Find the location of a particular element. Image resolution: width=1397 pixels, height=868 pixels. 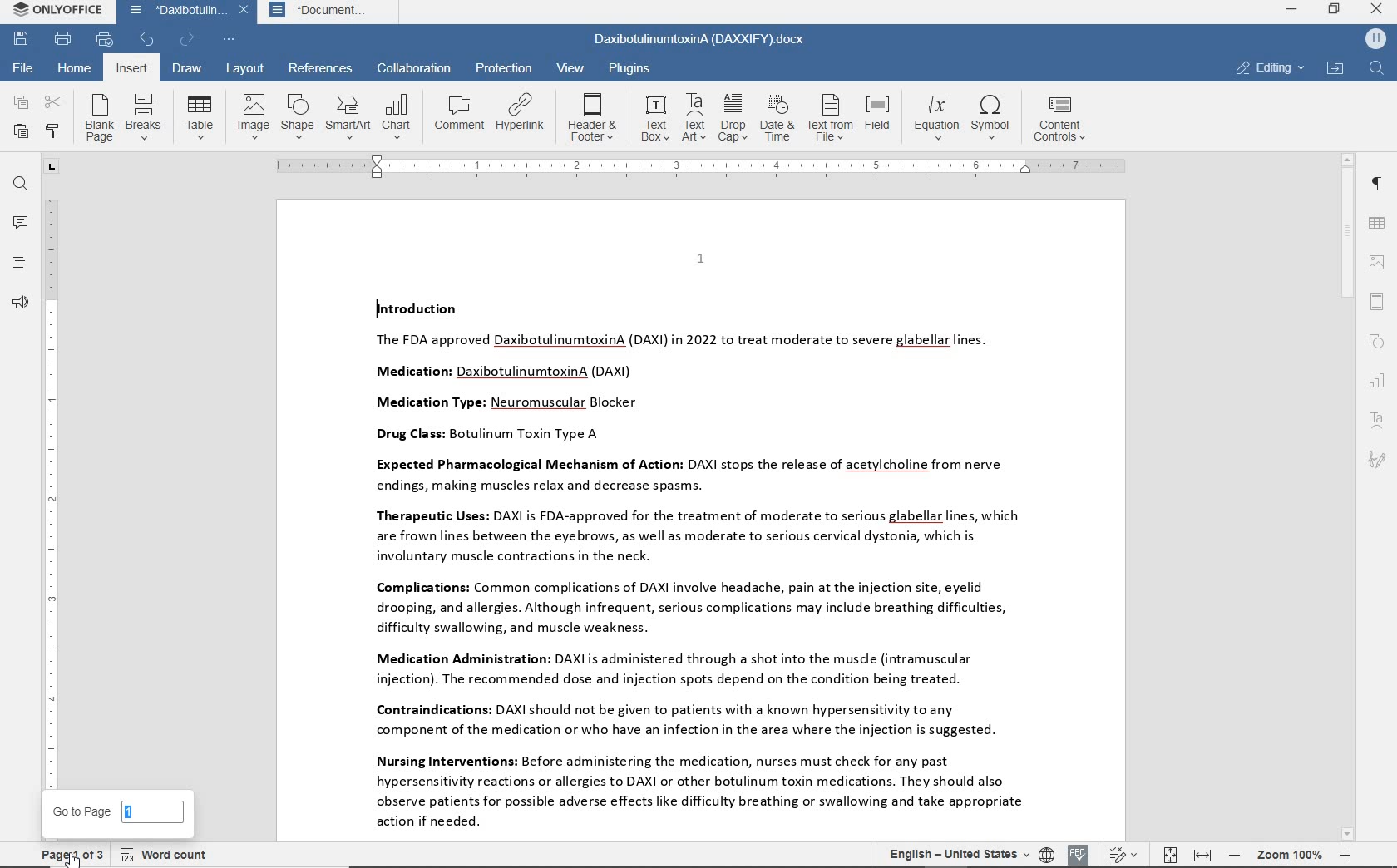

redo is located at coordinates (187, 39).